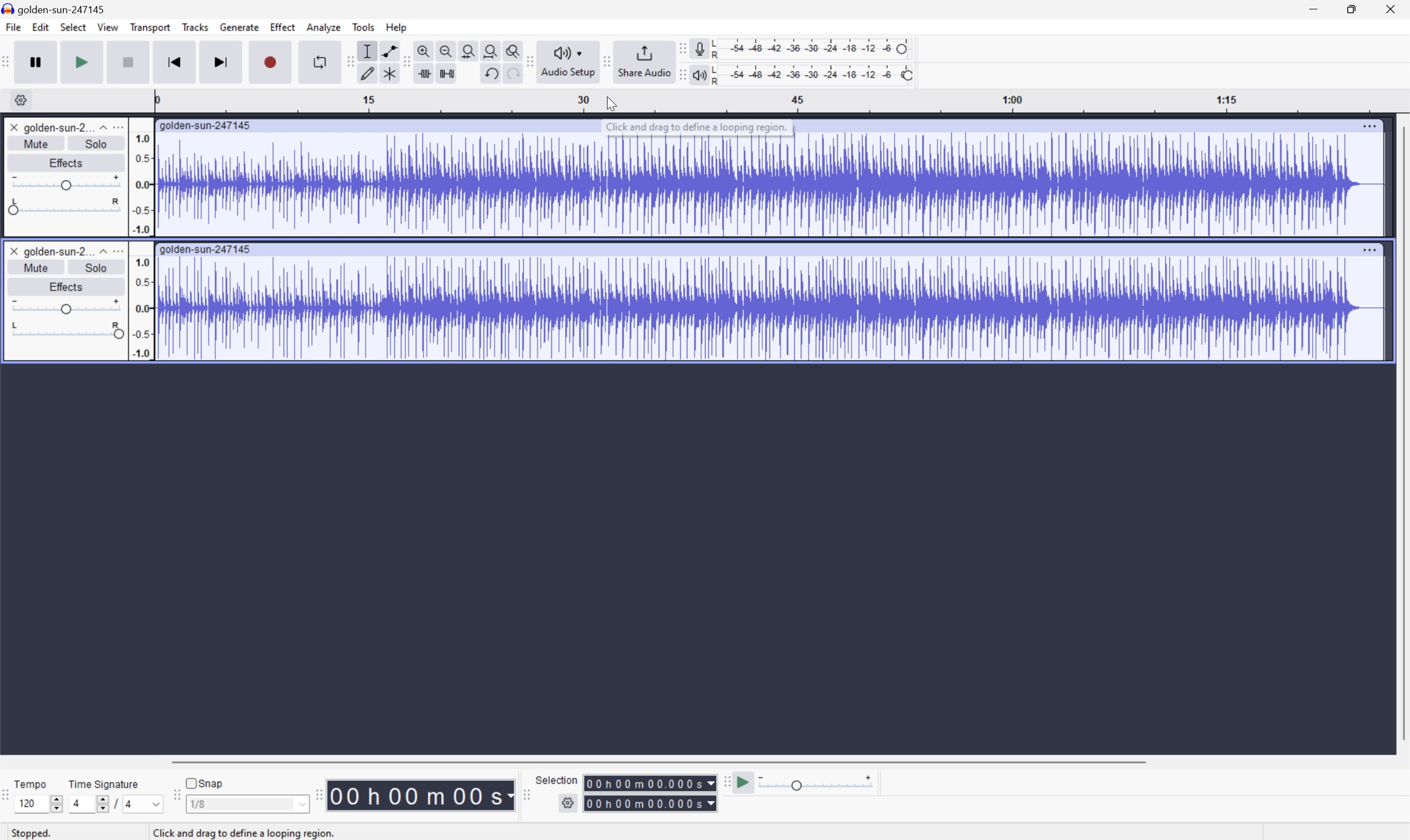  What do you see at coordinates (29, 833) in the screenshot?
I see `Stopped` at bounding box center [29, 833].